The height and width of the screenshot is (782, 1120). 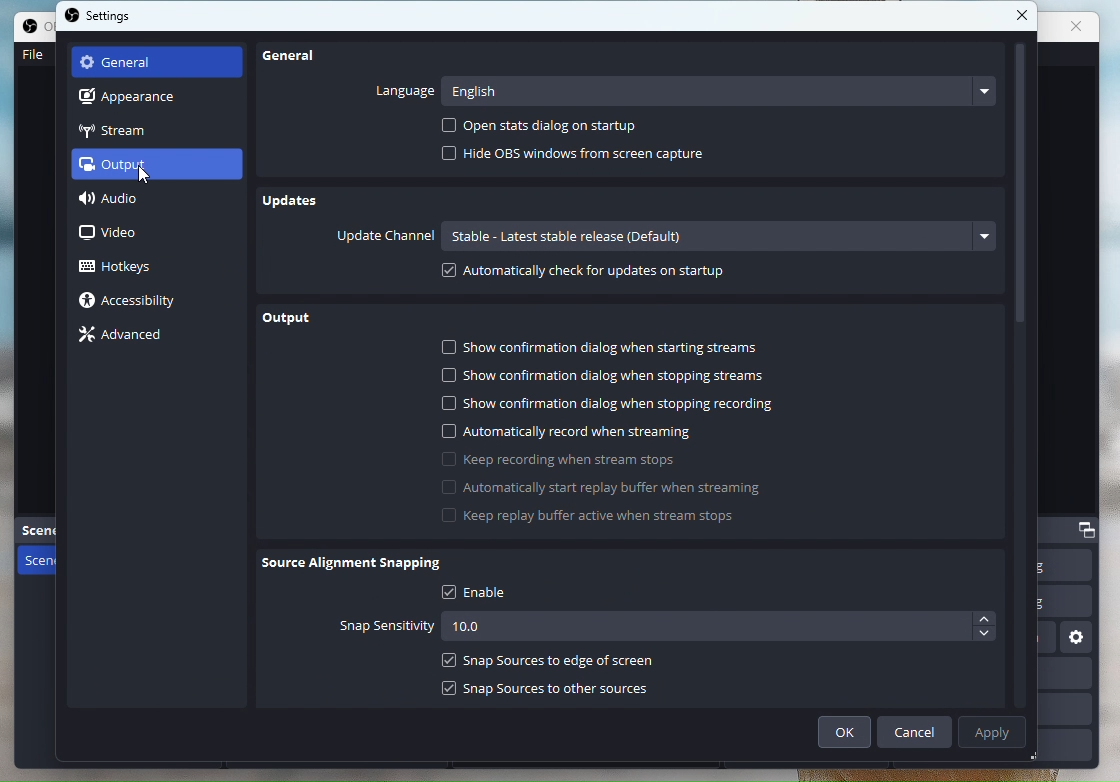 What do you see at coordinates (586, 518) in the screenshot?
I see `Keep replay` at bounding box center [586, 518].